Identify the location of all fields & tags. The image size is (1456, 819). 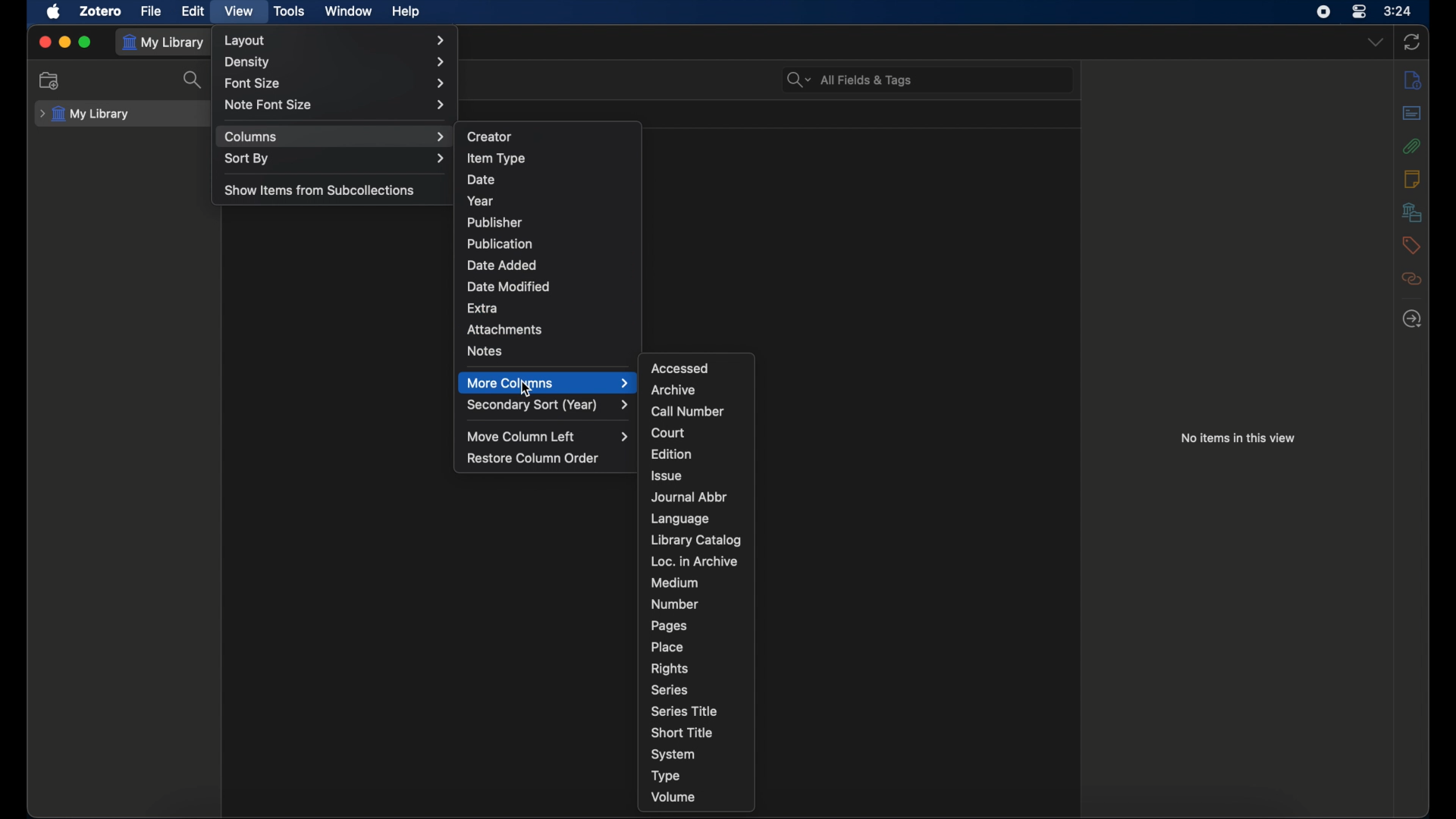
(850, 80).